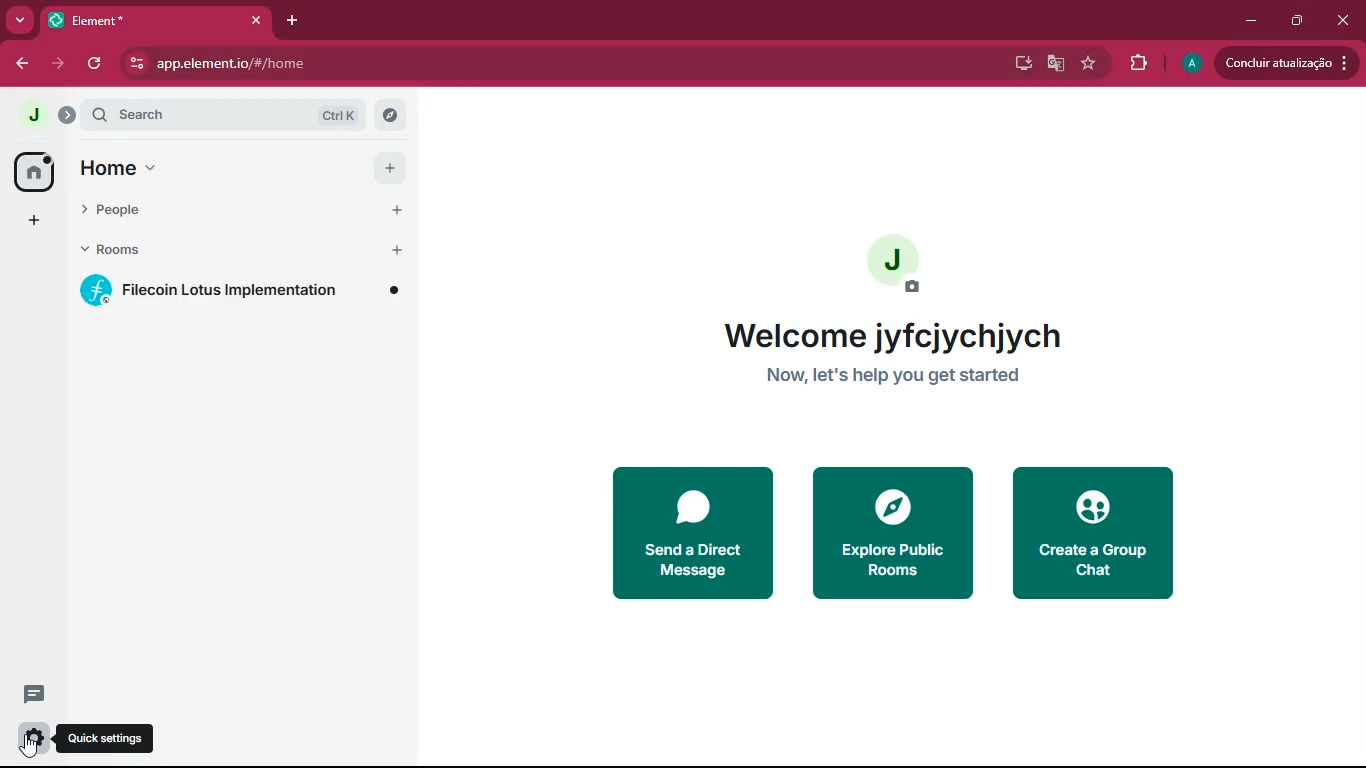 The width and height of the screenshot is (1366, 768). What do you see at coordinates (1093, 64) in the screenshot?
I see `favourite` at bounding box center [1093, 64].